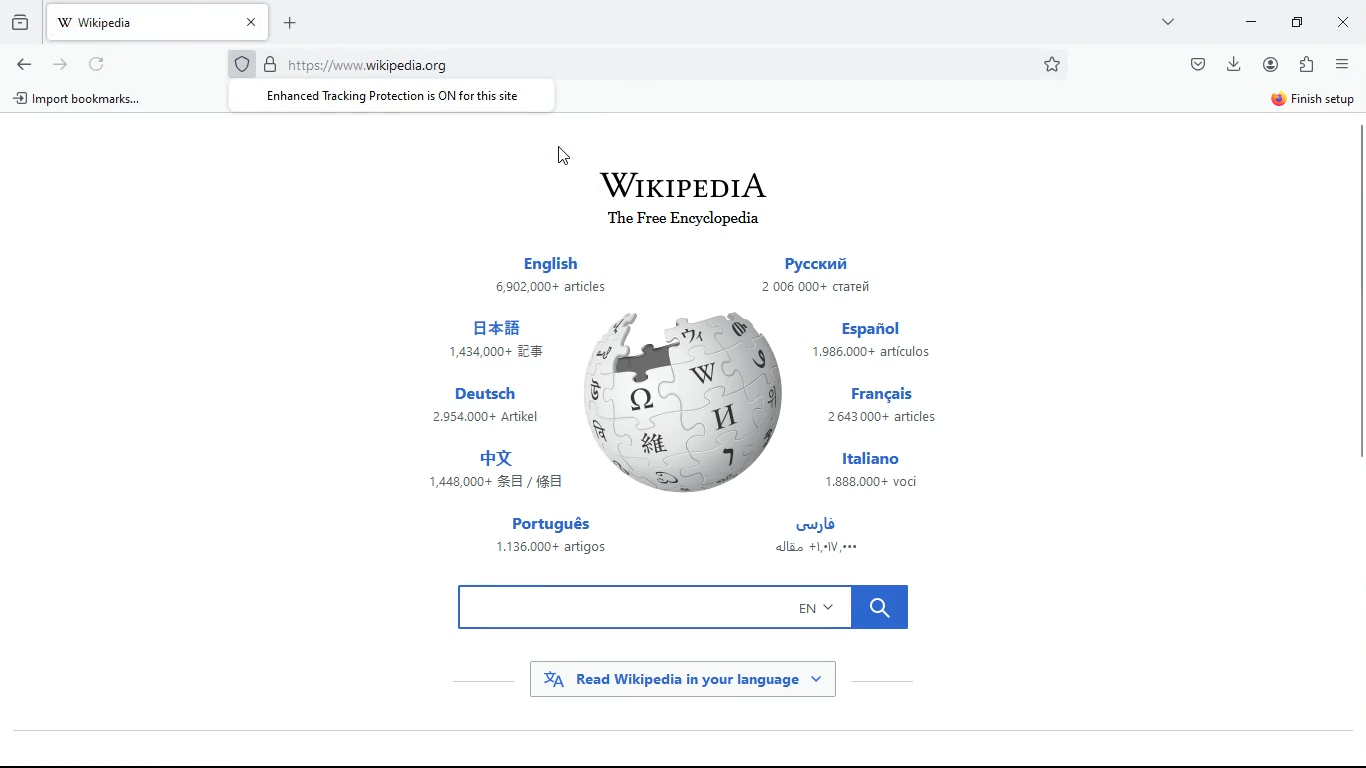 The height and width of the screenshot is (768, 1366). Describe the element at coordinates (295, 23) in the screenshot. I see `add new tab` at that location.